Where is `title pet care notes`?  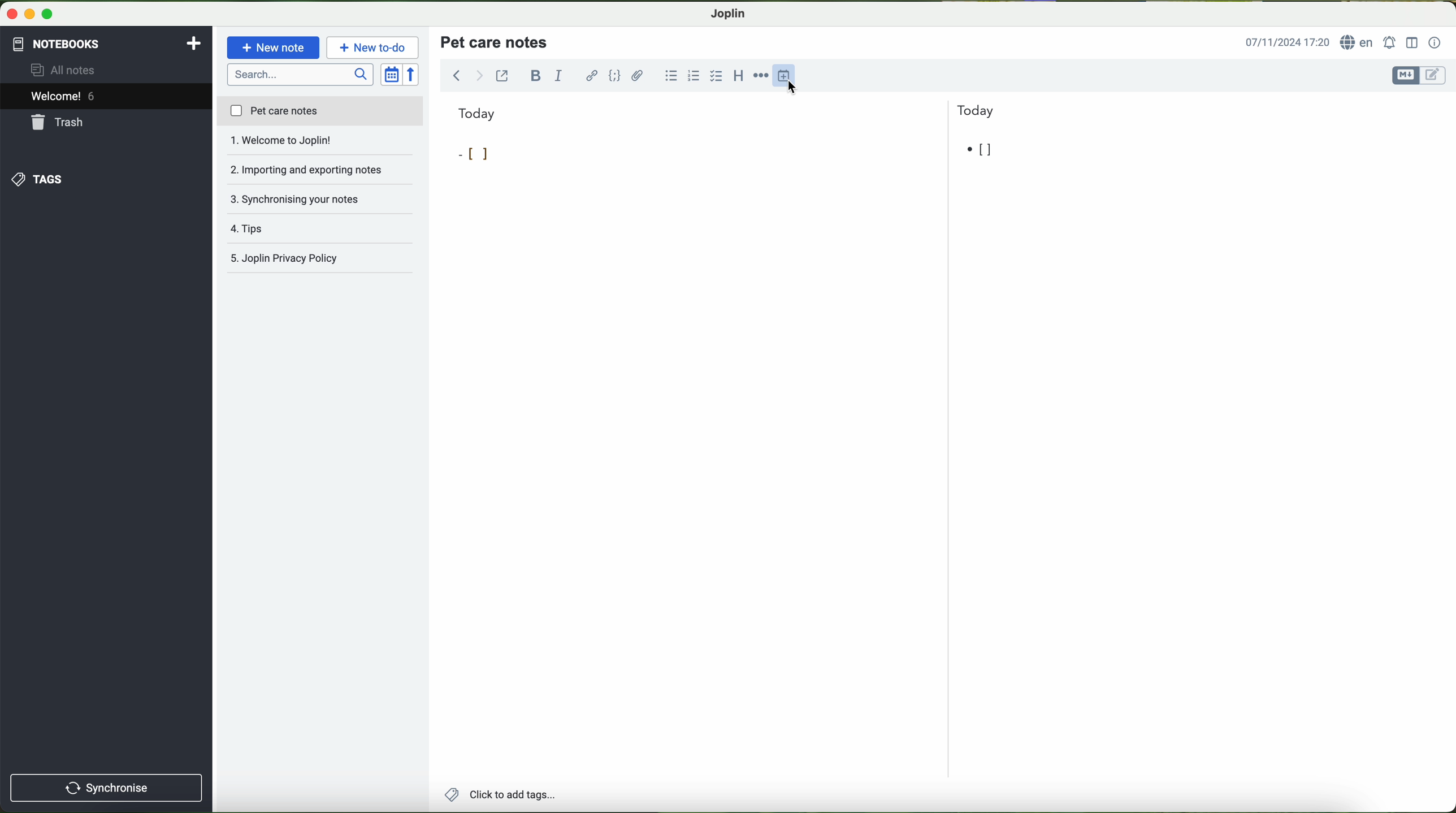
title pet care notes is located at coordinates (496, 41).